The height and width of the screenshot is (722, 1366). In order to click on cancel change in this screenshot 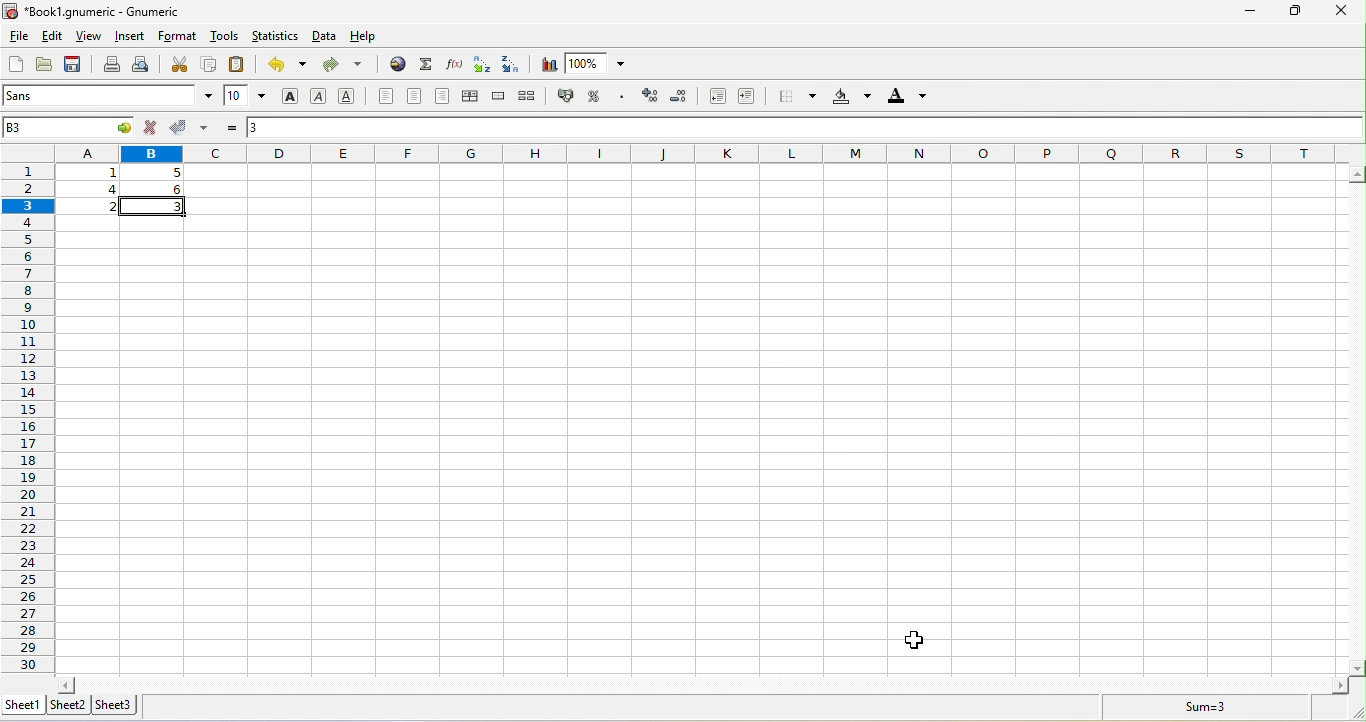, I will do `click(154, 128)`.